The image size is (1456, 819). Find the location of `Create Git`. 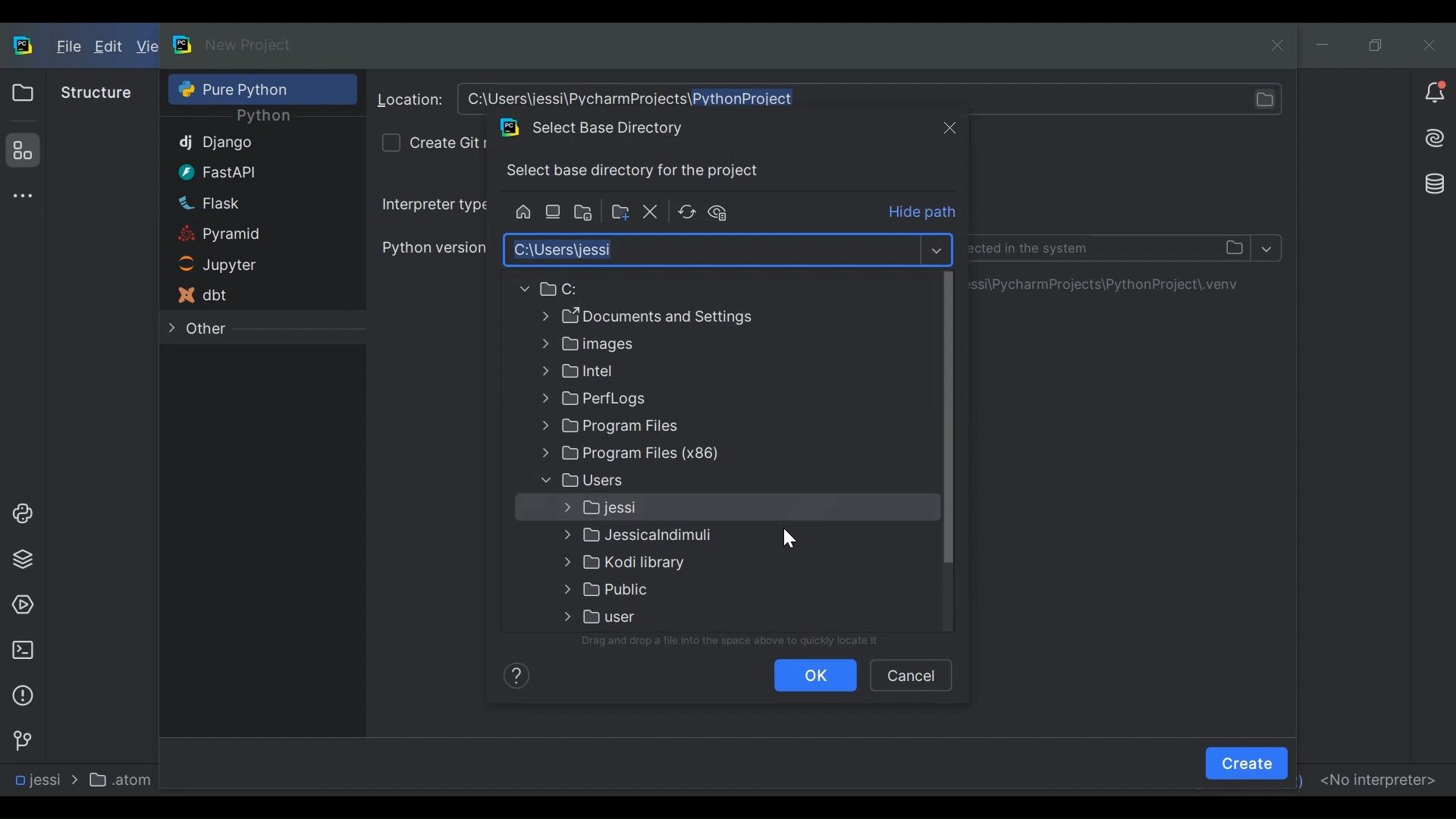

Create Git is located at coordinates (447, 142).